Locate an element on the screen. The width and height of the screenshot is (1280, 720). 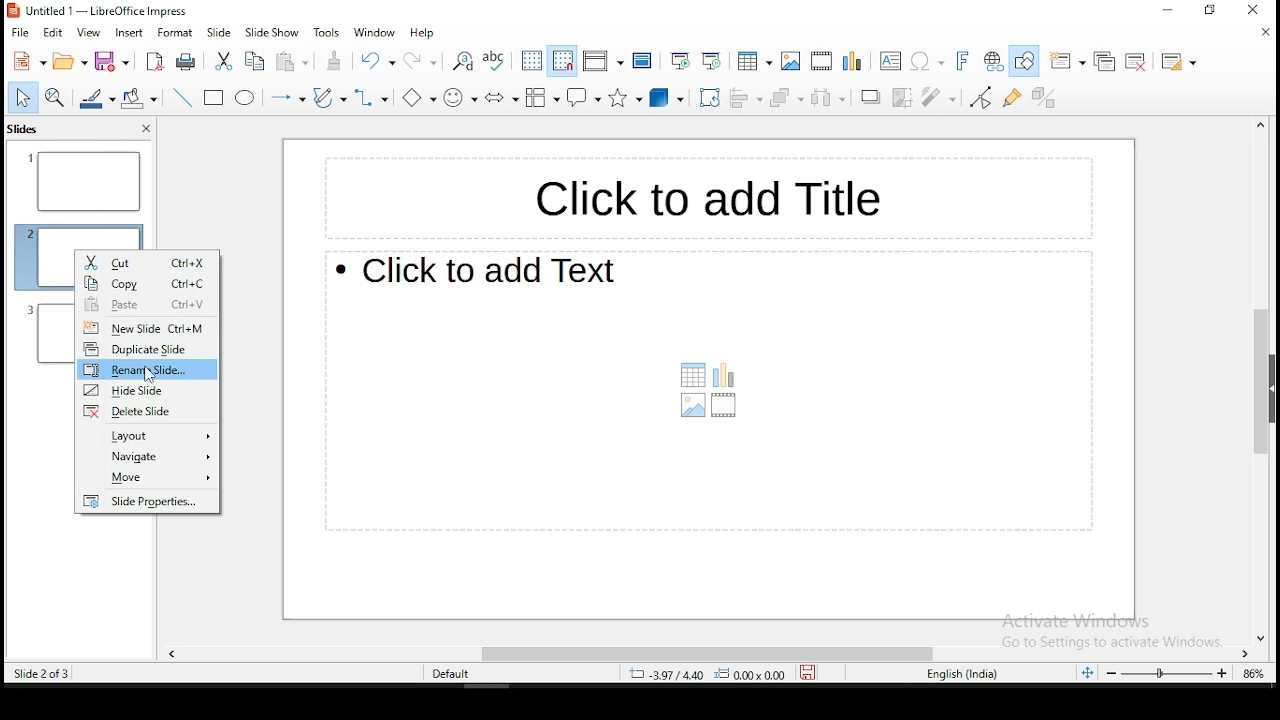
cut is located at coordinates (147, 263).